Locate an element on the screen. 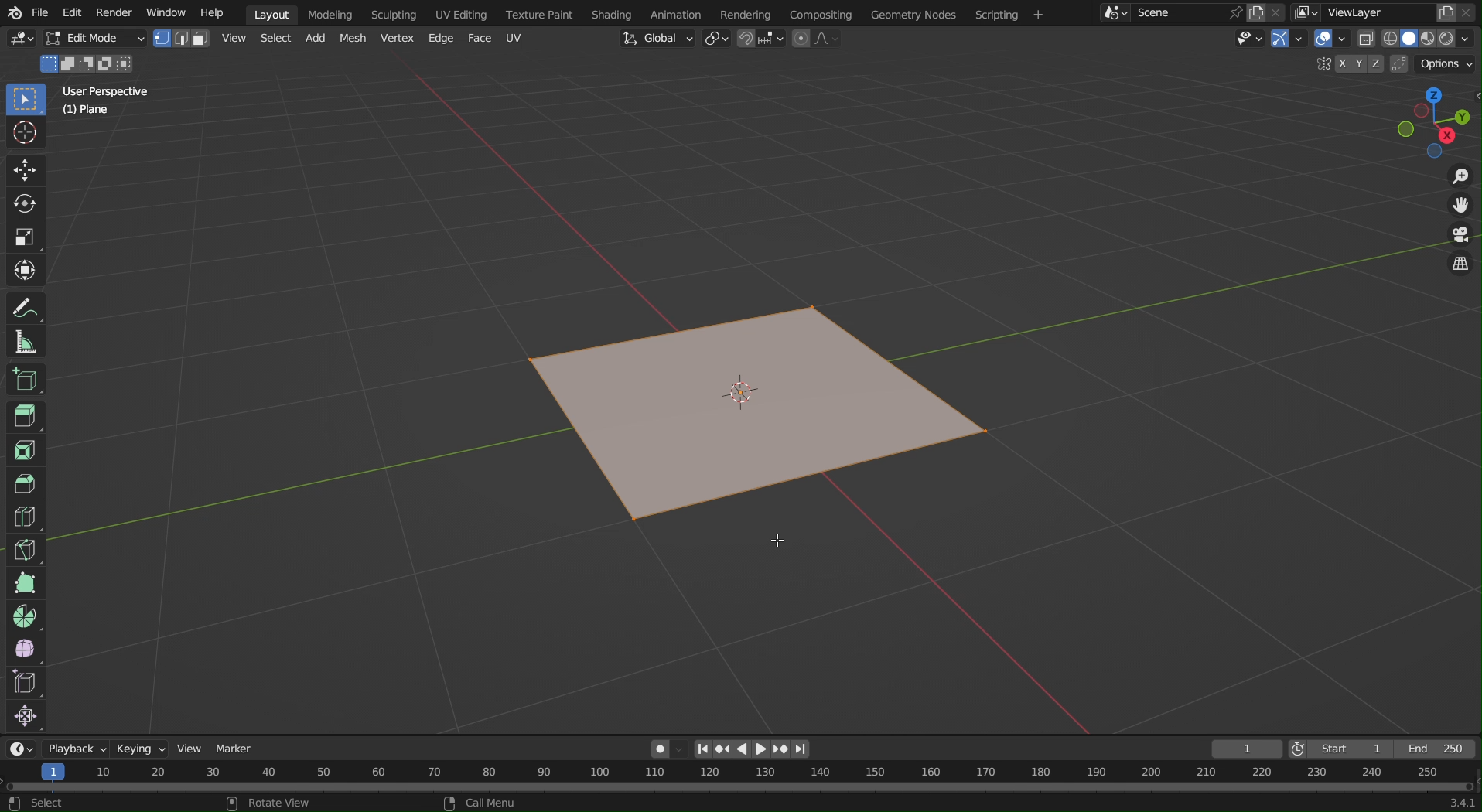 The image size is (1482, 812). Zoom is located at coordinates (1459, 178).